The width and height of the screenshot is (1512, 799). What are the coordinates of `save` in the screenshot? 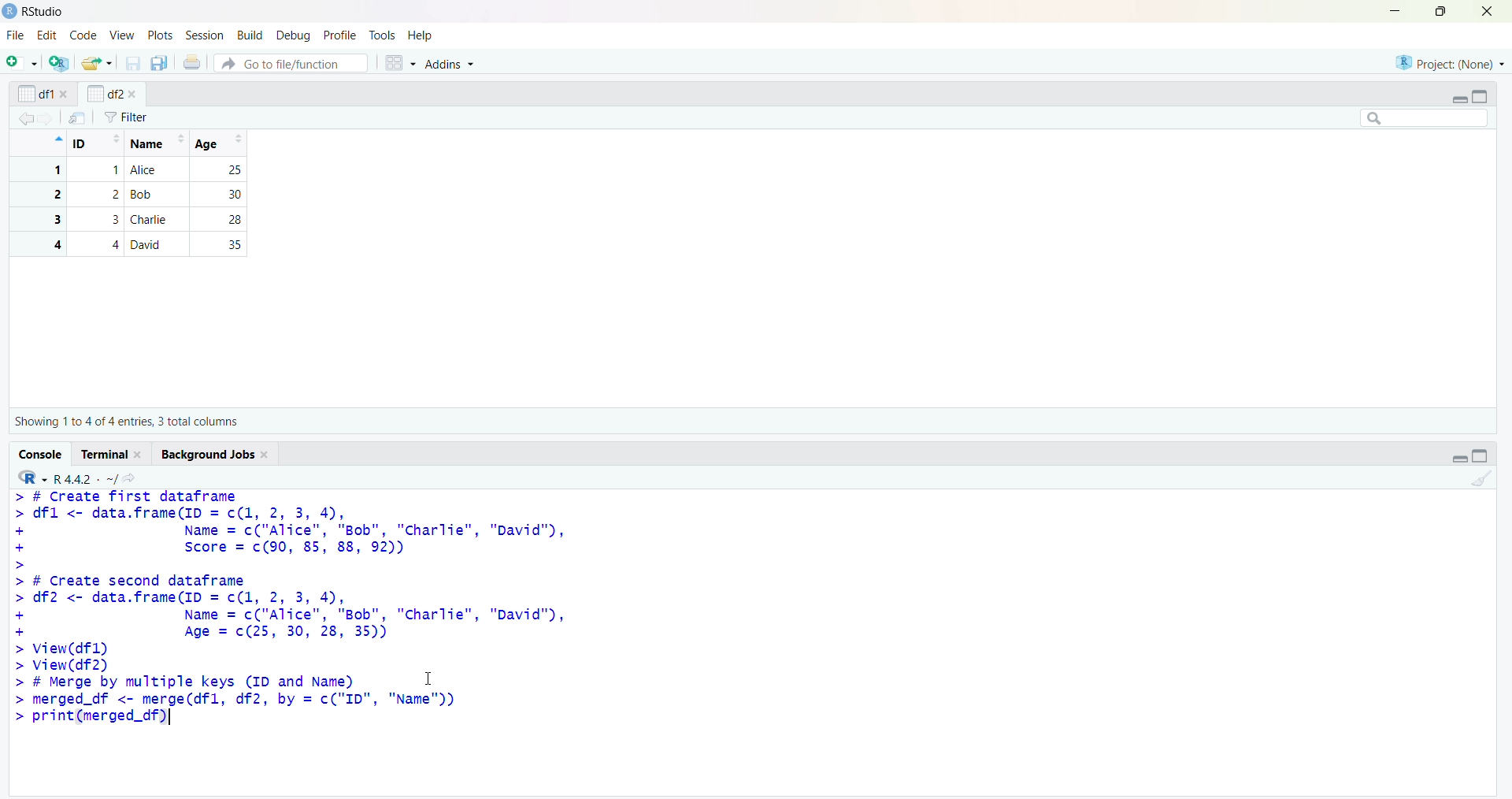 It's located at (134, 63).